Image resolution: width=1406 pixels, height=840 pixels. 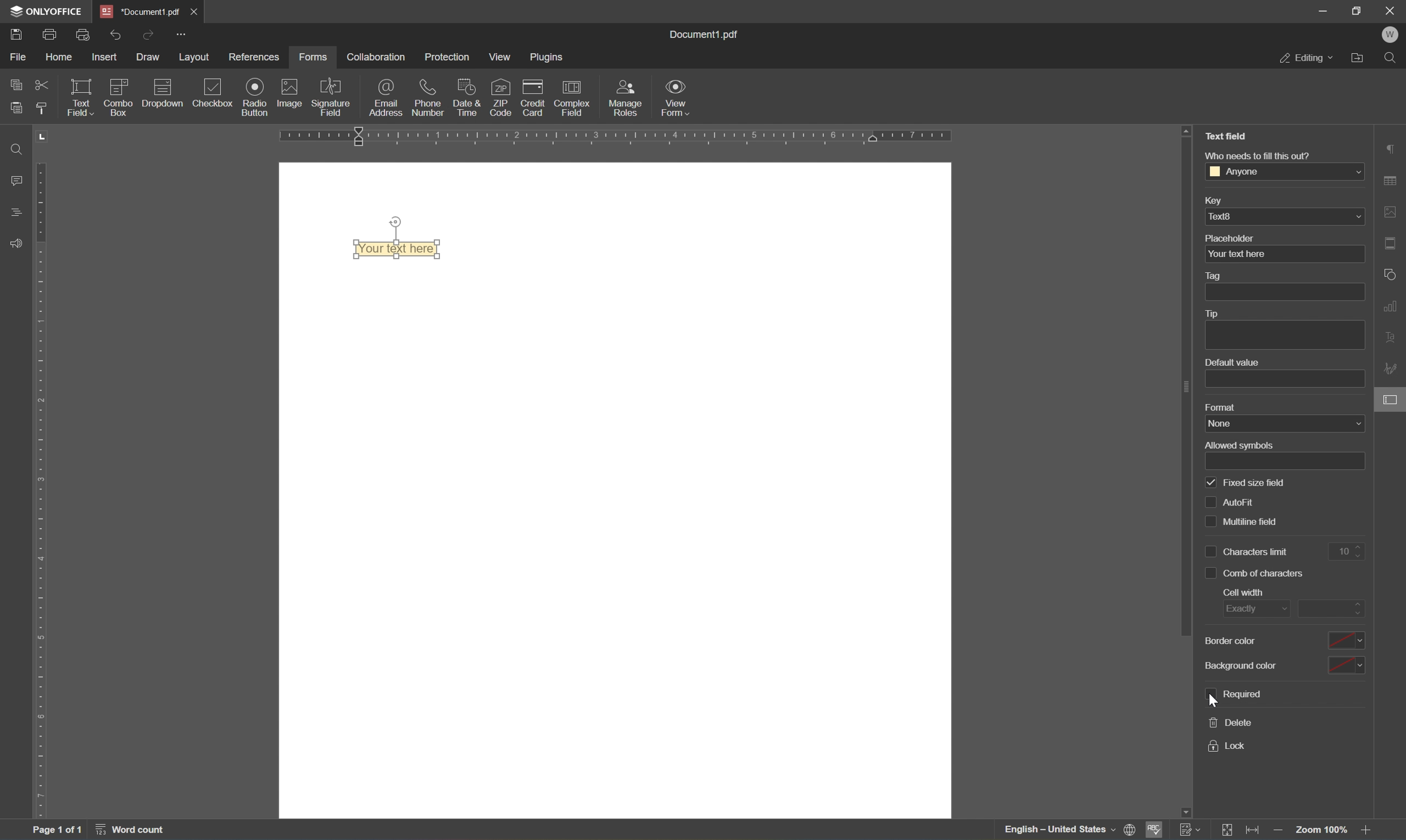 I want to click on default value, so click(x=1233, y=362).